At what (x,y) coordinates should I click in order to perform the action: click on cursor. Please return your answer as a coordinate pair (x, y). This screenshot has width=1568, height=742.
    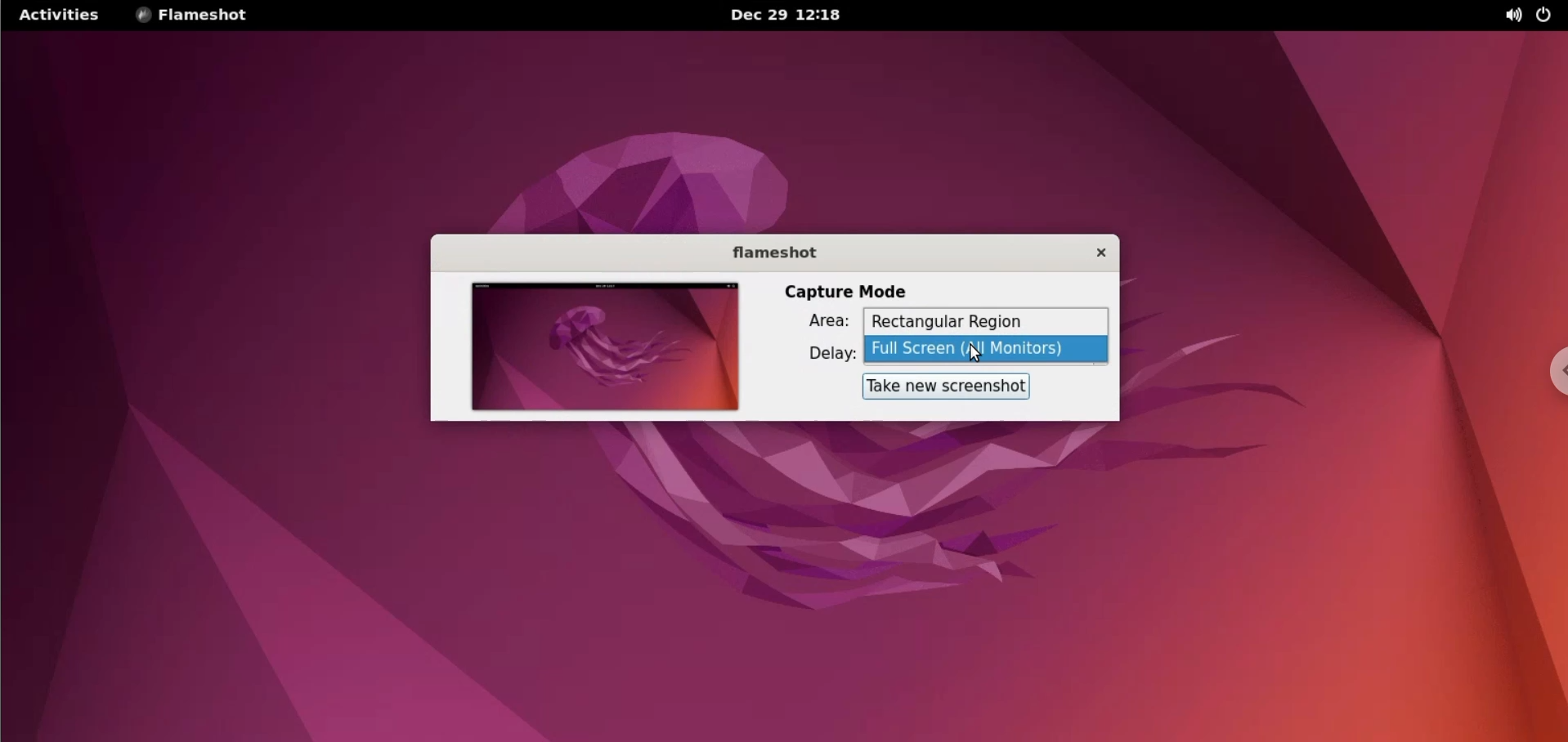
    Looking at the image, I should click on (979, 354).